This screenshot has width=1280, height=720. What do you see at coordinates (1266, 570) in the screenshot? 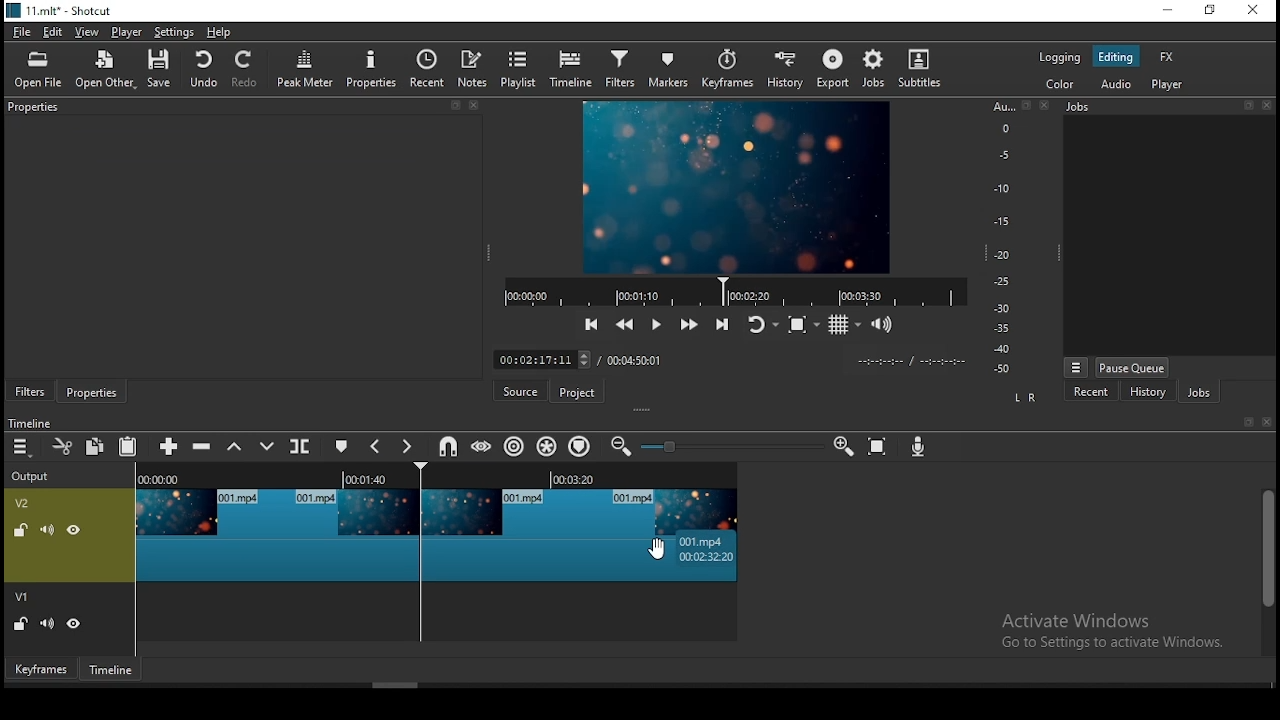
I see `scroll bar` at bounding box center [1266, 570].